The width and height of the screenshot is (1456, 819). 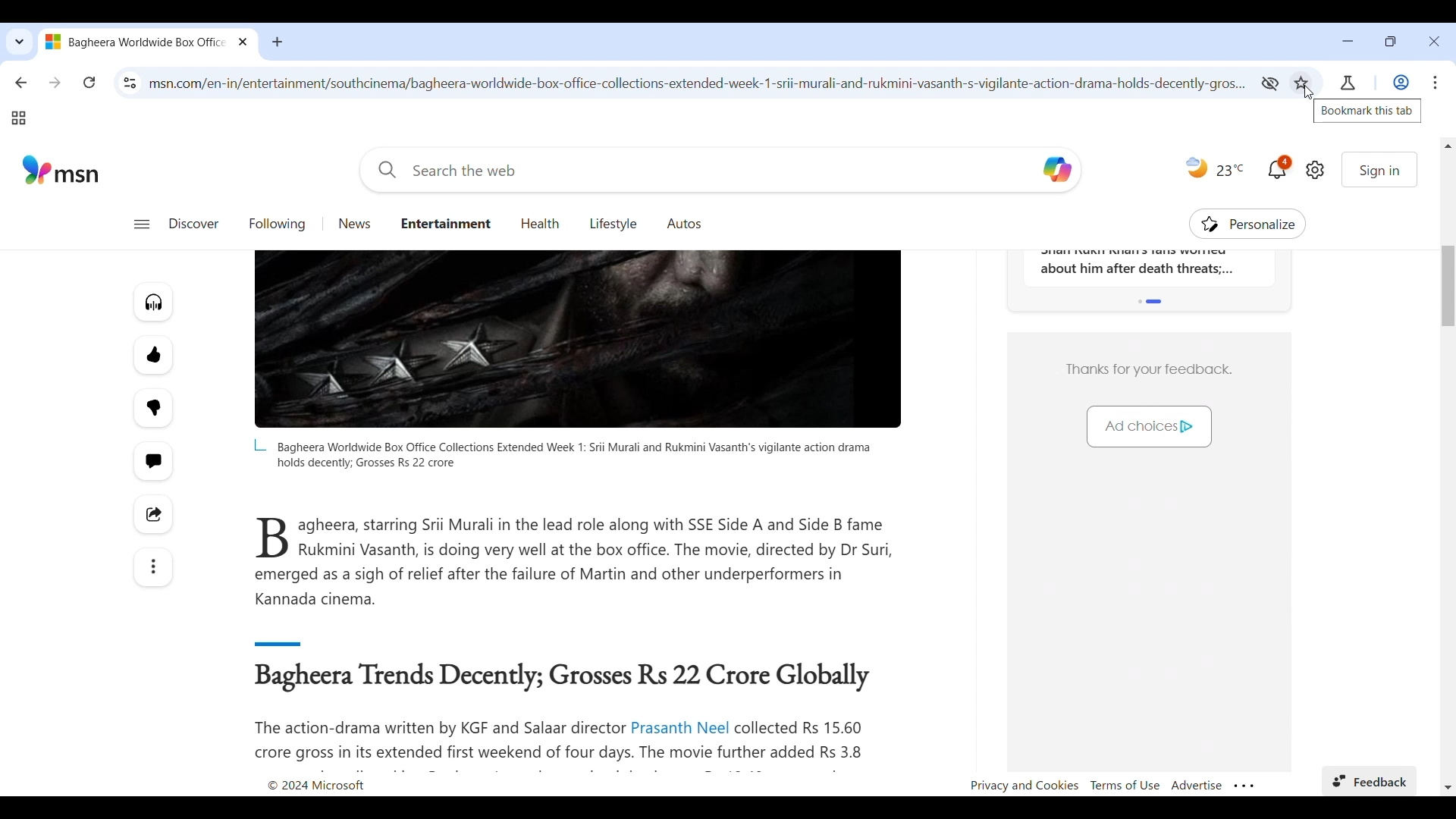 I want to click on Go to following page, so click(x=278, y=224).